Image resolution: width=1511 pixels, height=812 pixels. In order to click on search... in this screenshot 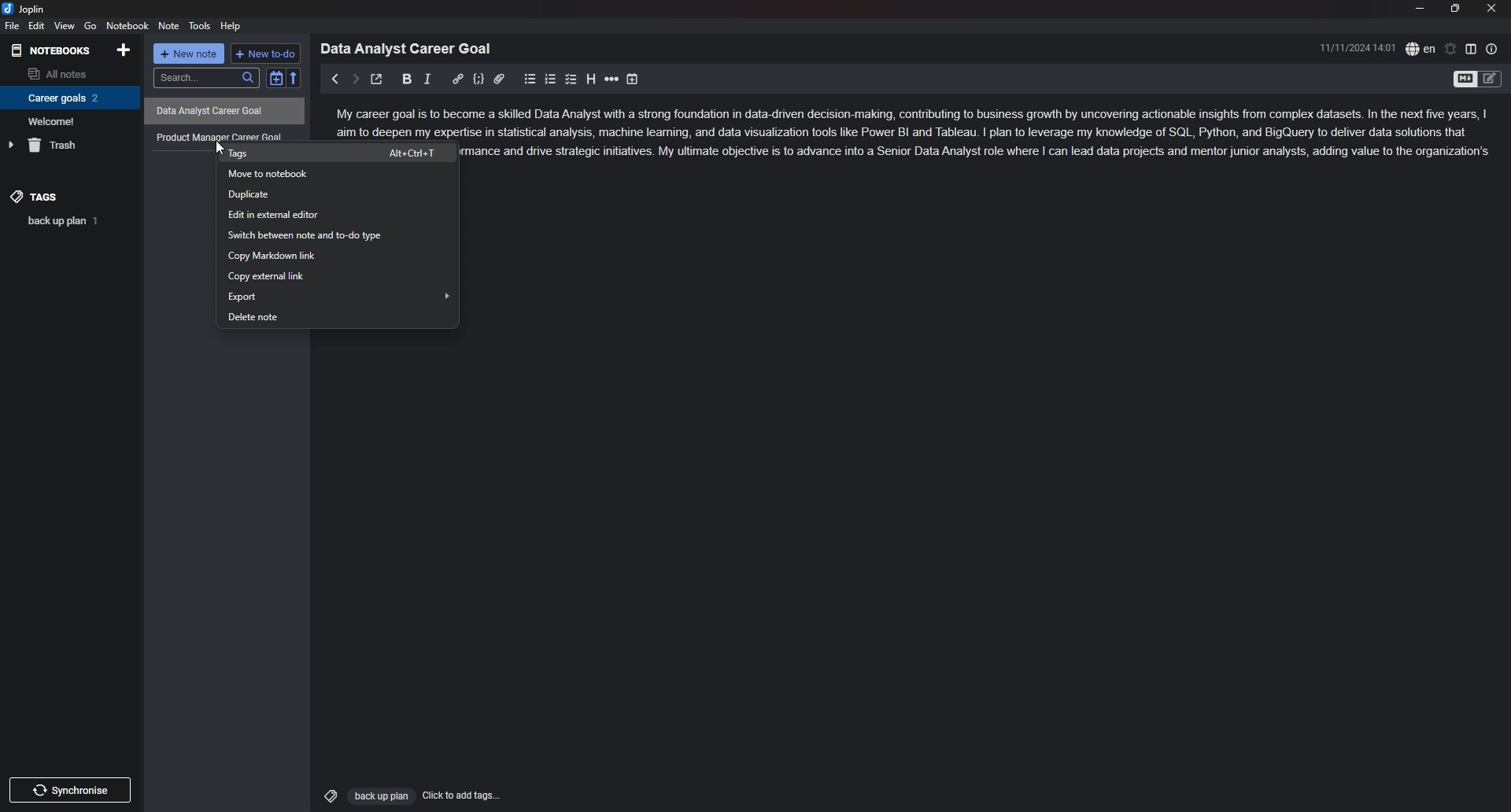, I will do `click(205, 78)`.